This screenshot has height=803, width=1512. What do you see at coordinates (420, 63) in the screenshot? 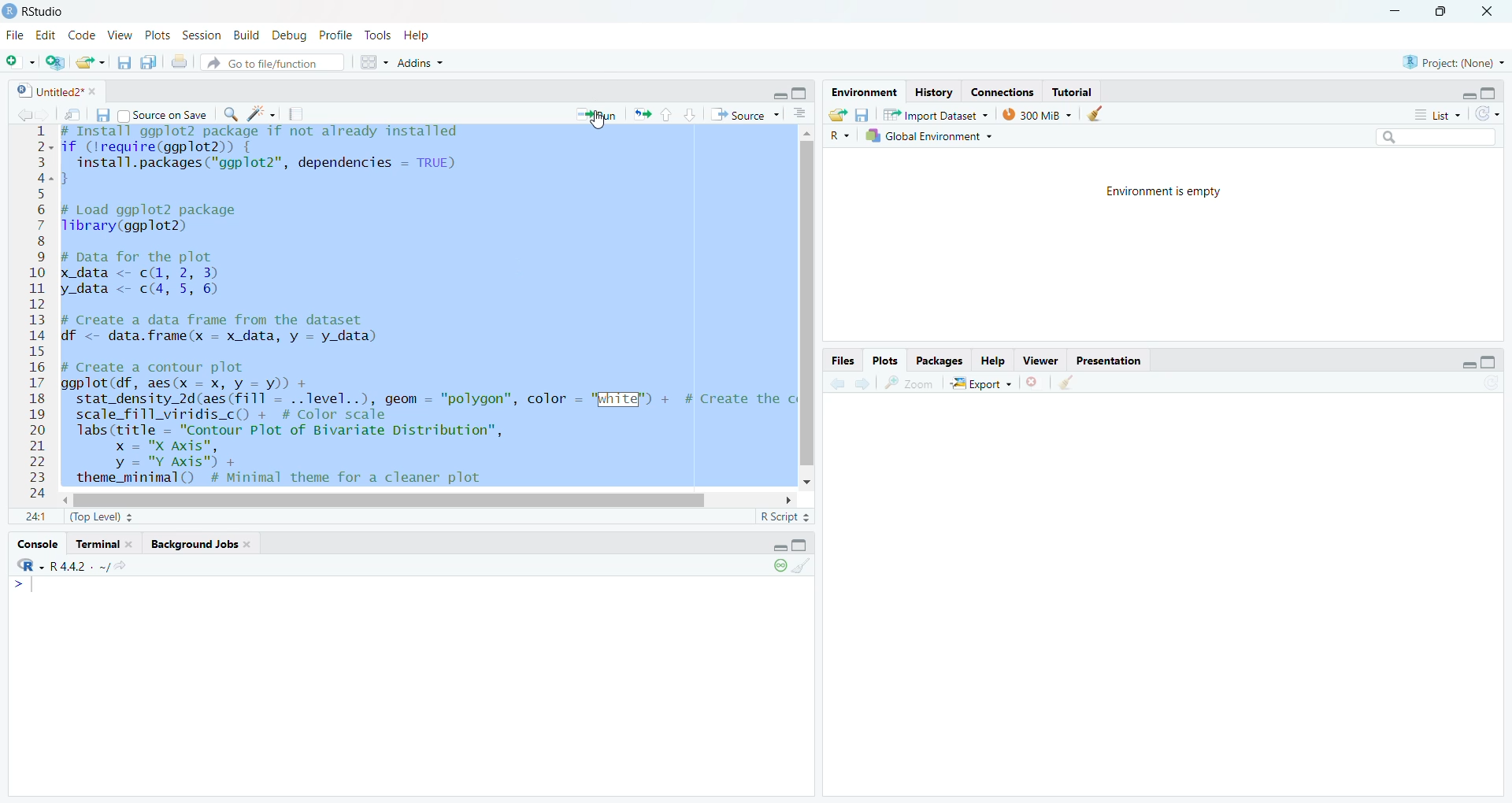
I see `Addins ` at bounding box center [420, 63].